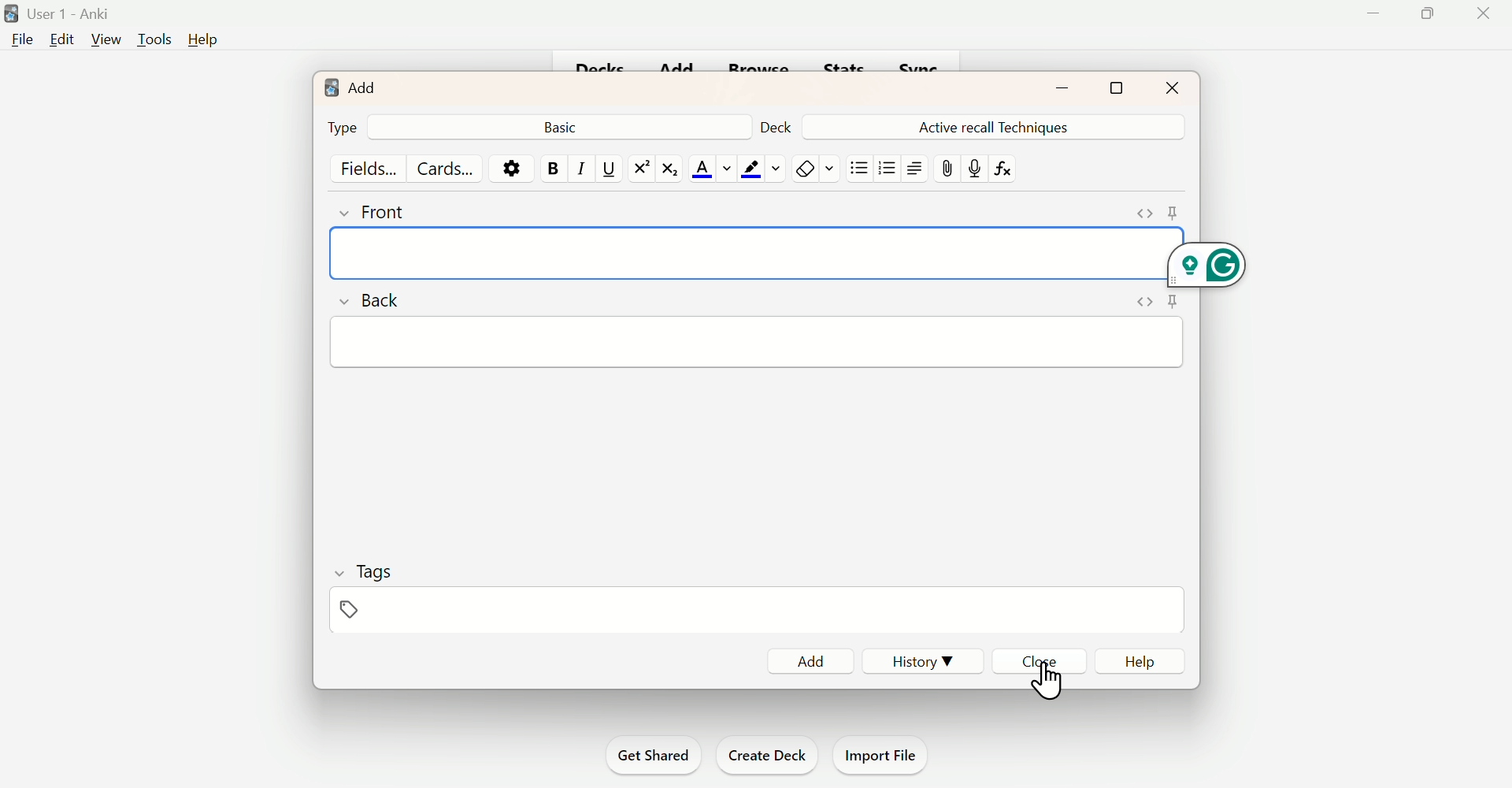 This screenshot has width=1512, height=788. I want to click on Italiac, so click(576, 167).